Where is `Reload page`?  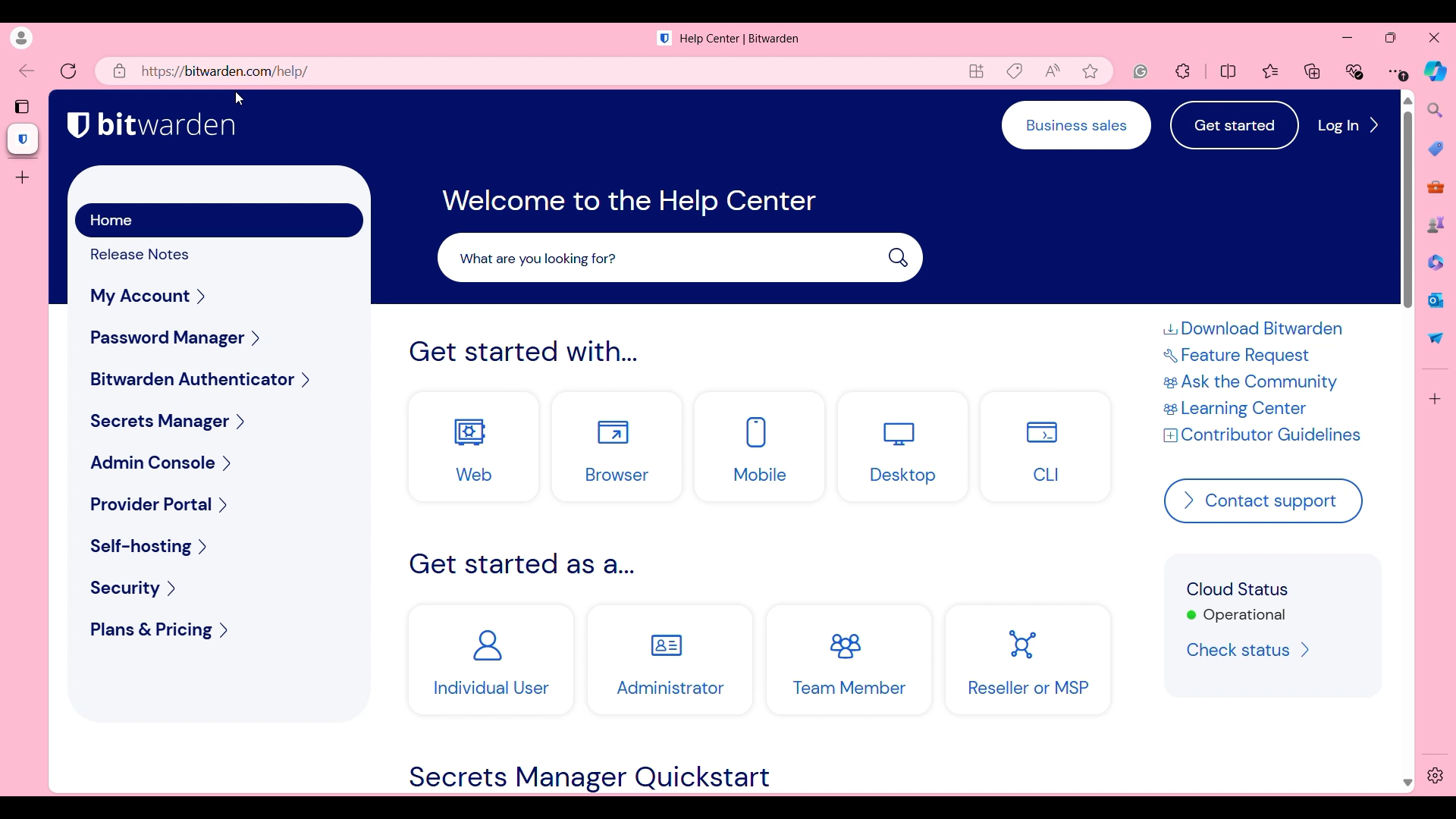
Reload page is located at coordinates (68, 71).